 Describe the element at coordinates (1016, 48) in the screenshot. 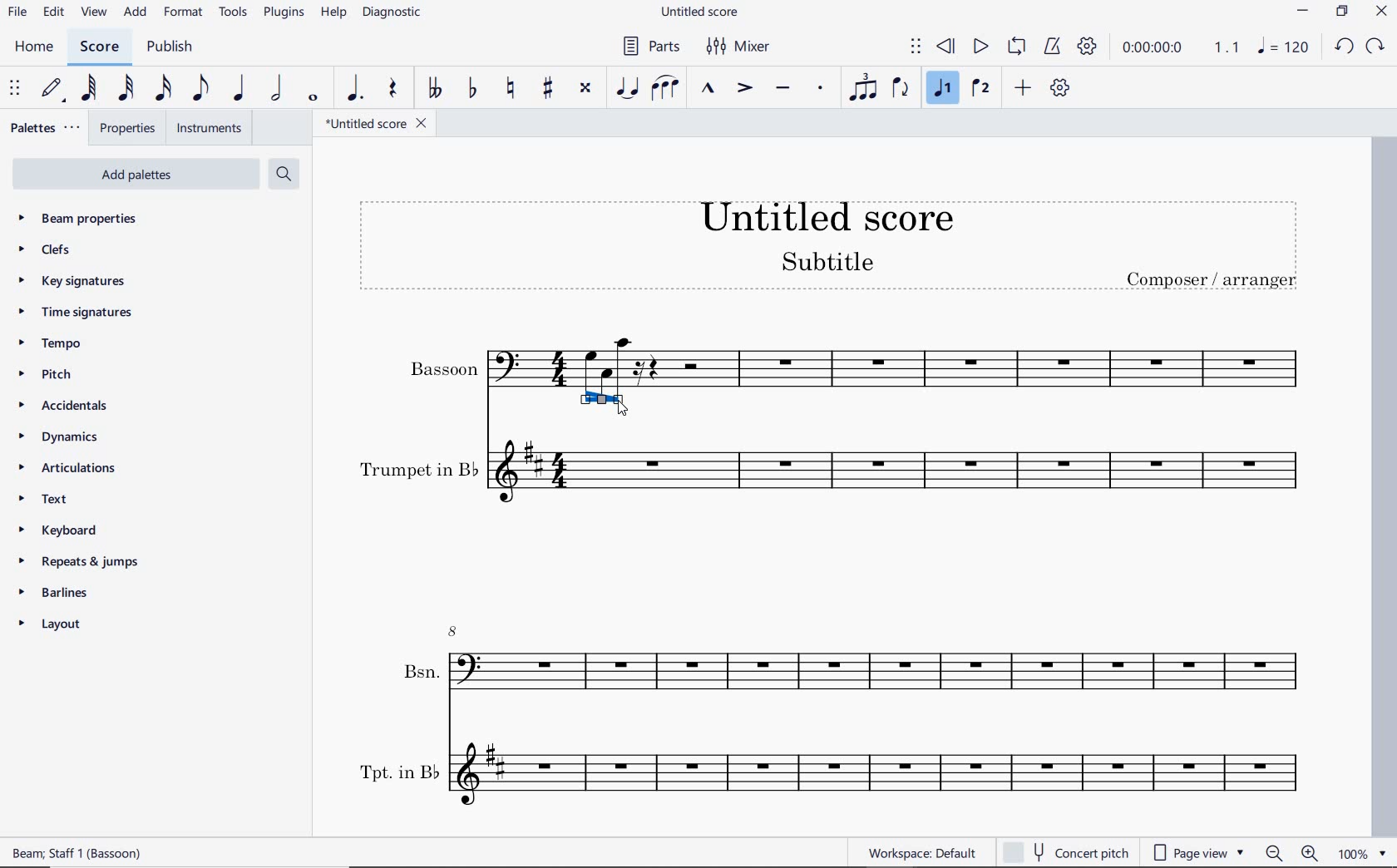

I see `loop playback` at that location.